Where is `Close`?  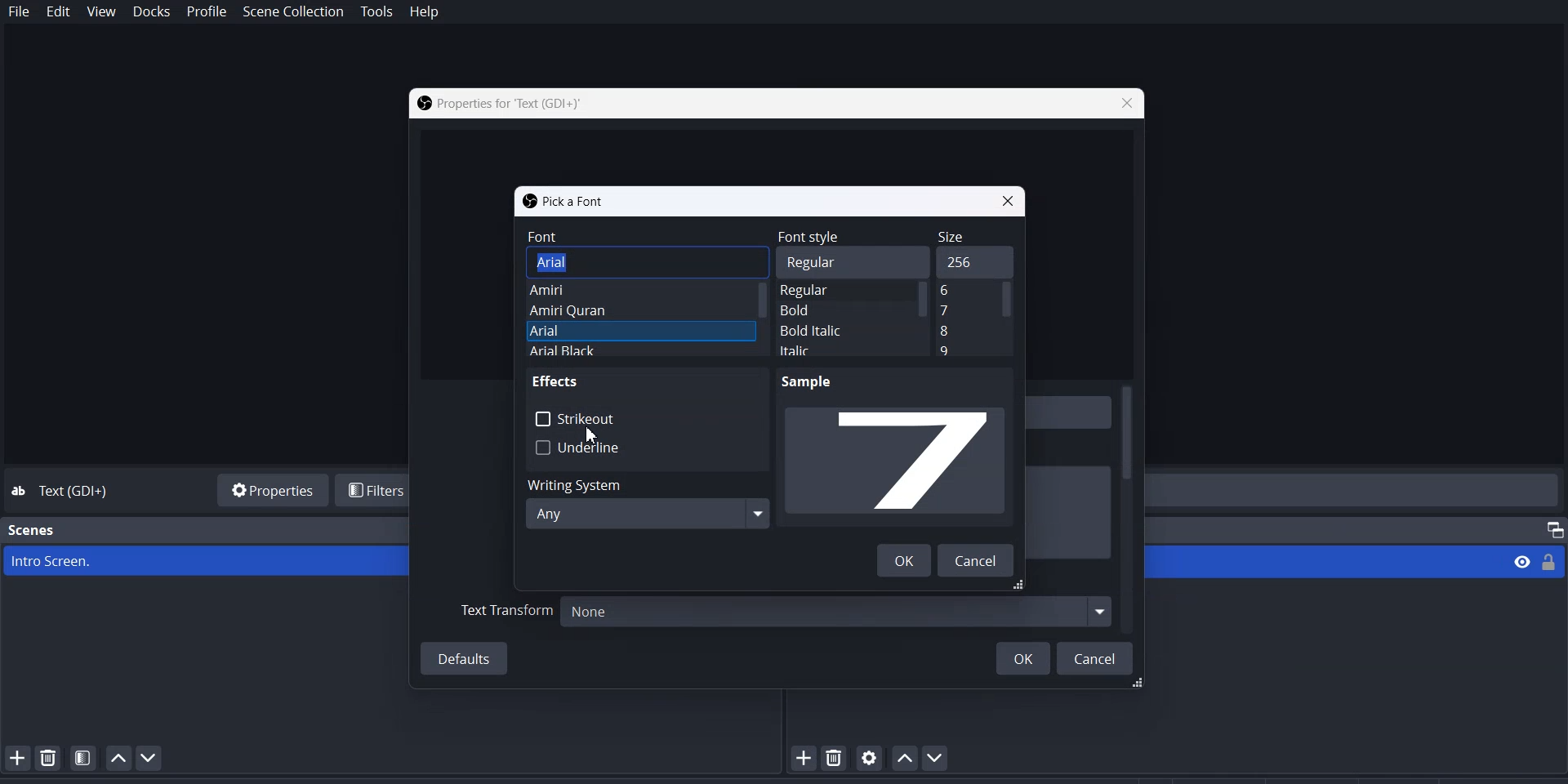
Close is located at coordinates (1125, 104).